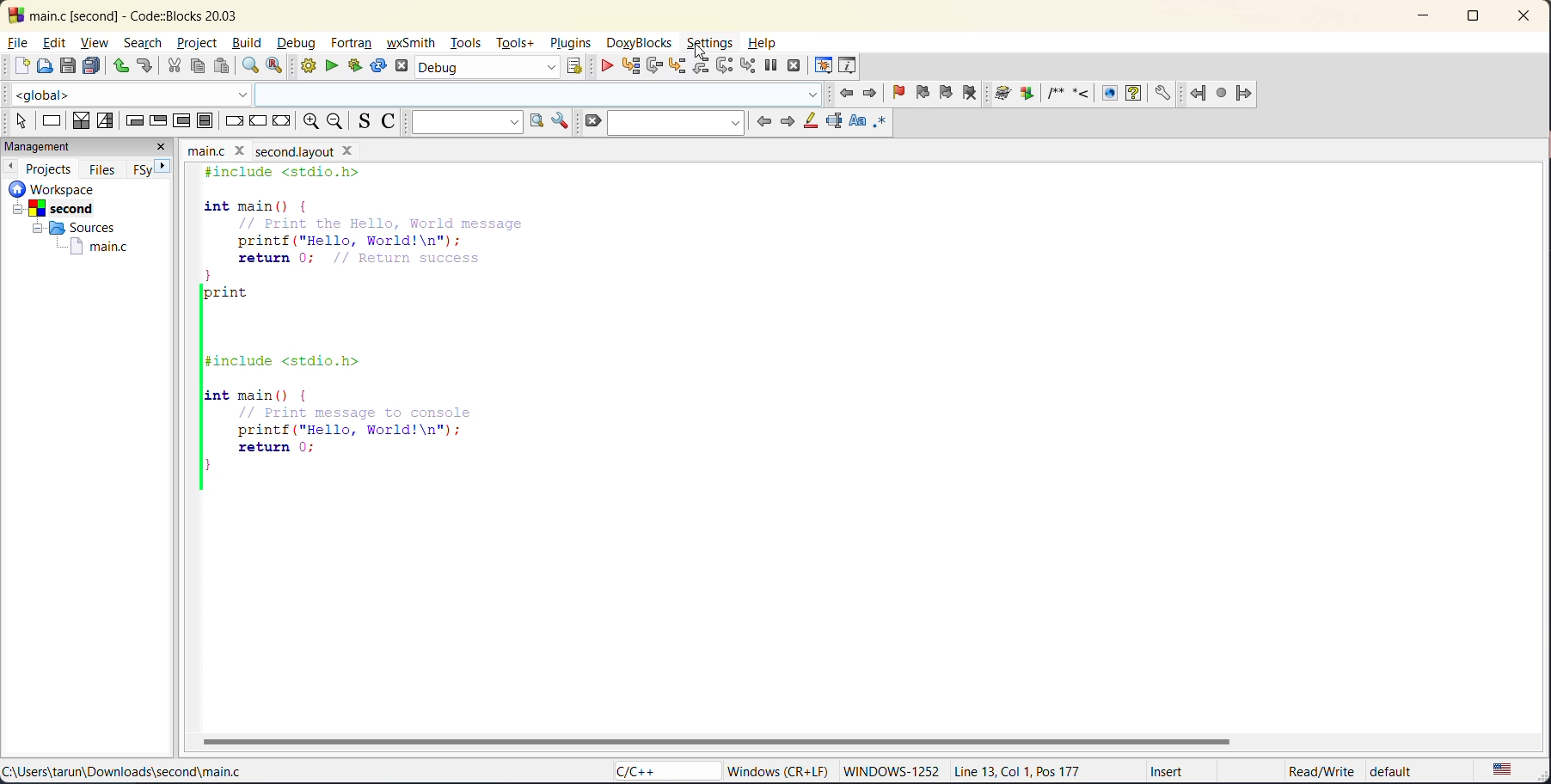 The image size is (1551, 784). What do you see at coordinates (1200, 93) in the screenshot?
I see `jump backward` at bounding box center [1200, 93].